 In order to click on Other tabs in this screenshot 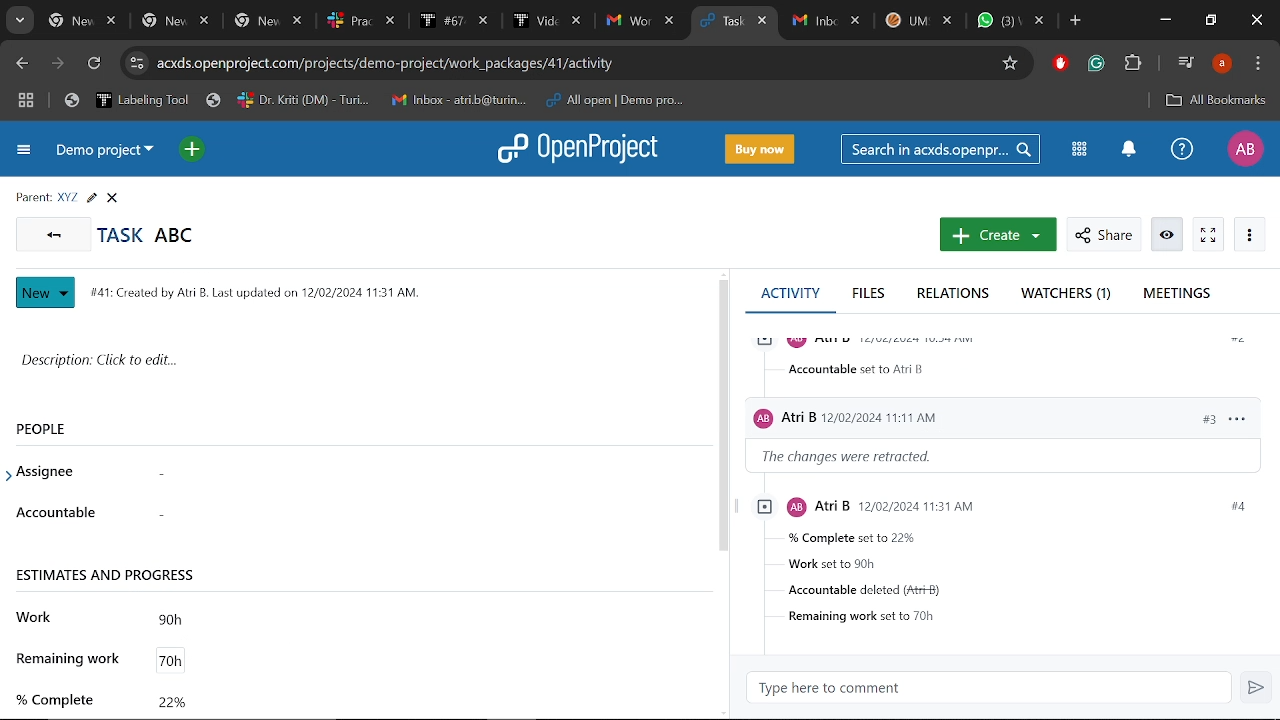, I will do `click(918, 20)`.